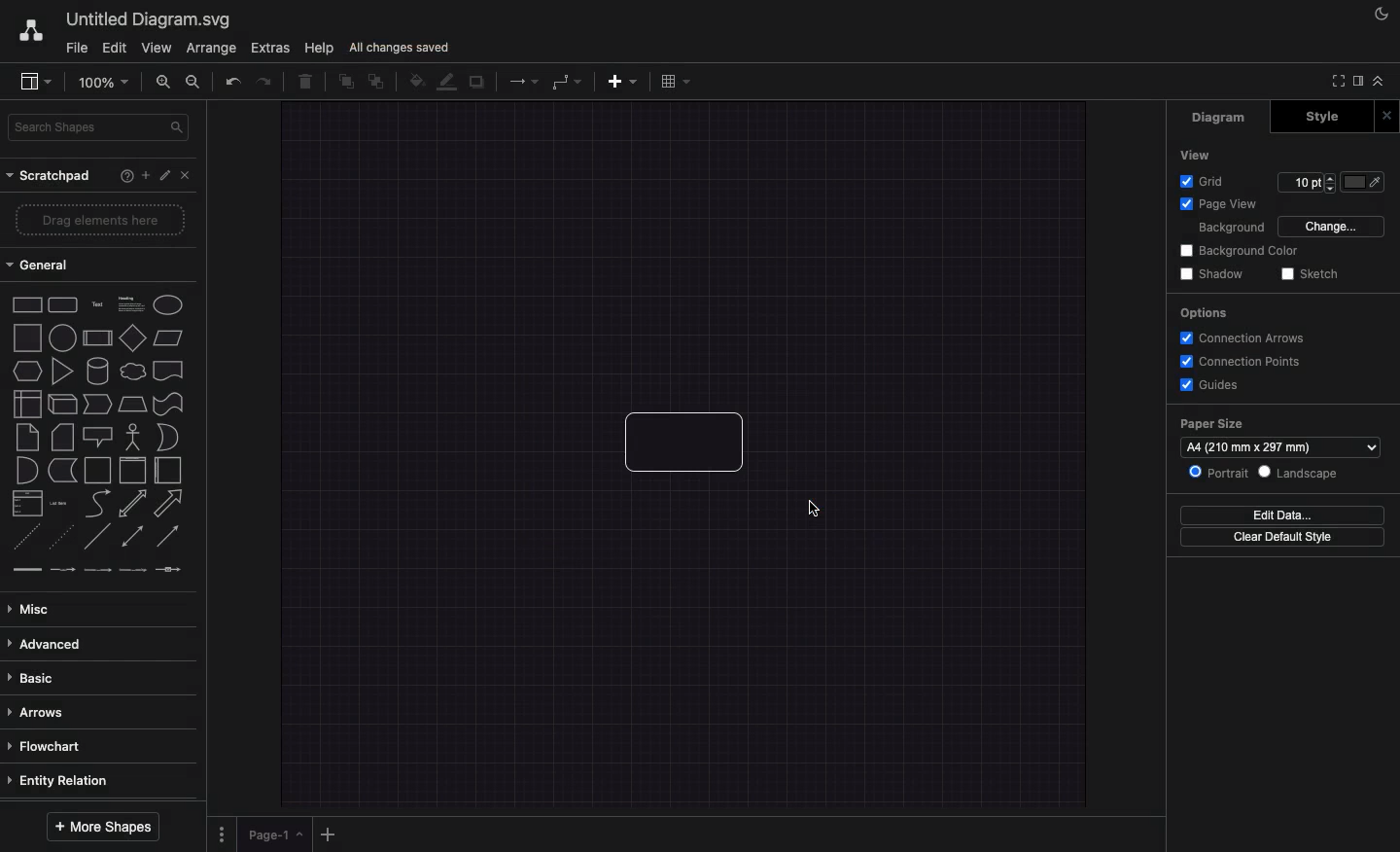 Image resolution: width=1400 pixels, height=852 pixels. I want to click on Scratchpad, so click(49, 177).